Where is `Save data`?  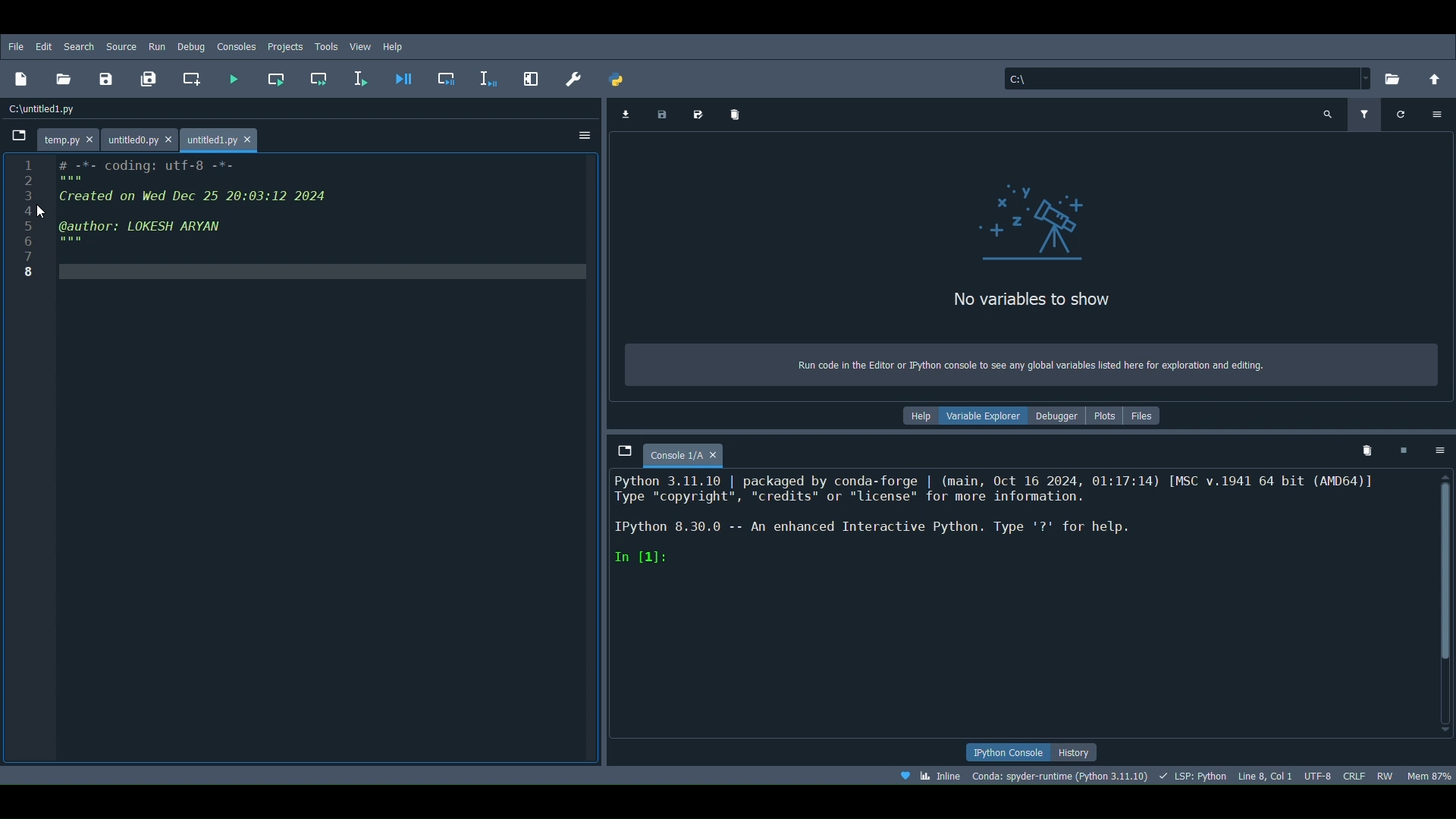 Save data is located at coordinates (661, 113).